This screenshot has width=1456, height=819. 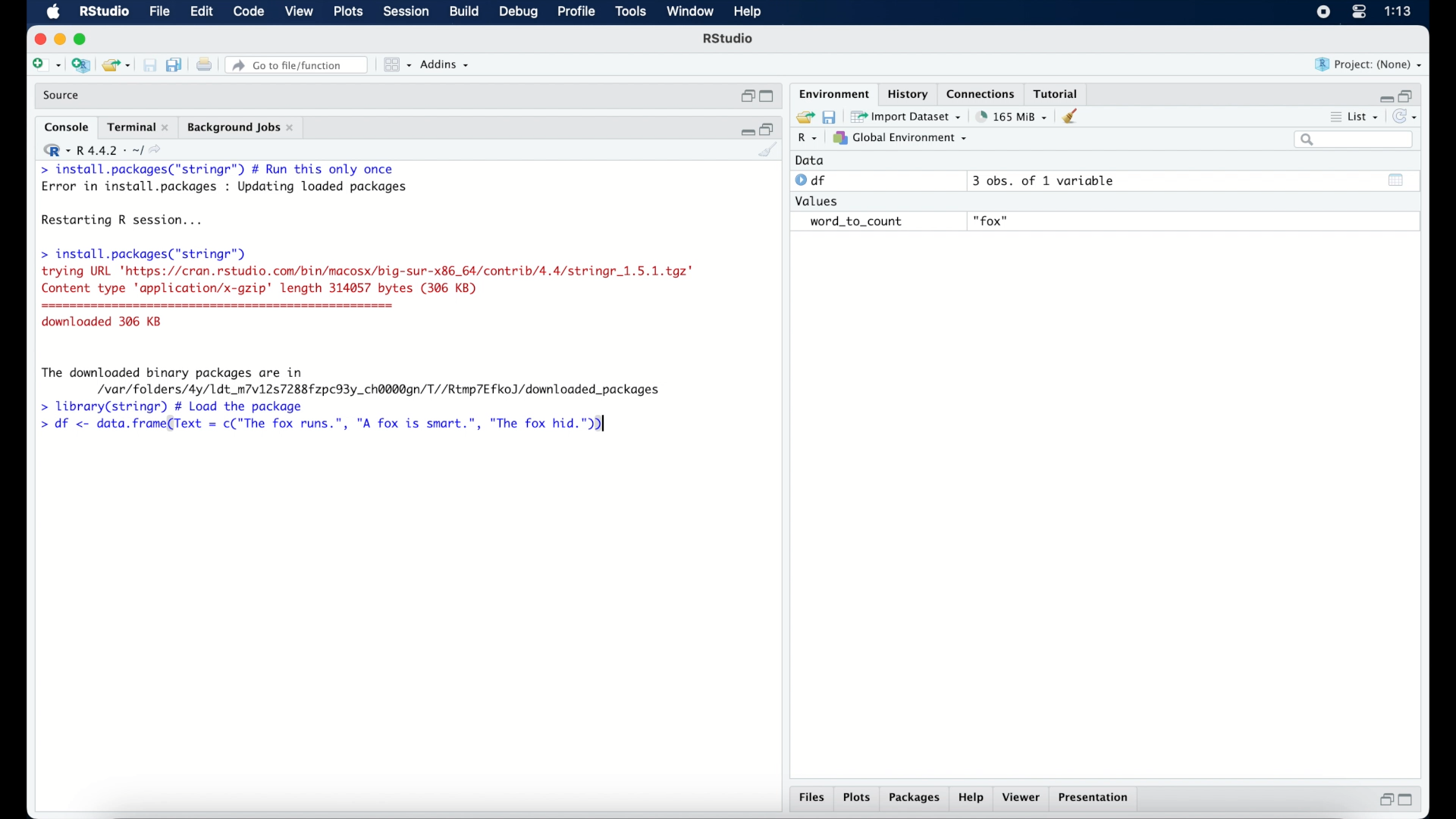 I want to click on terminal, so click(x=138, y=127).